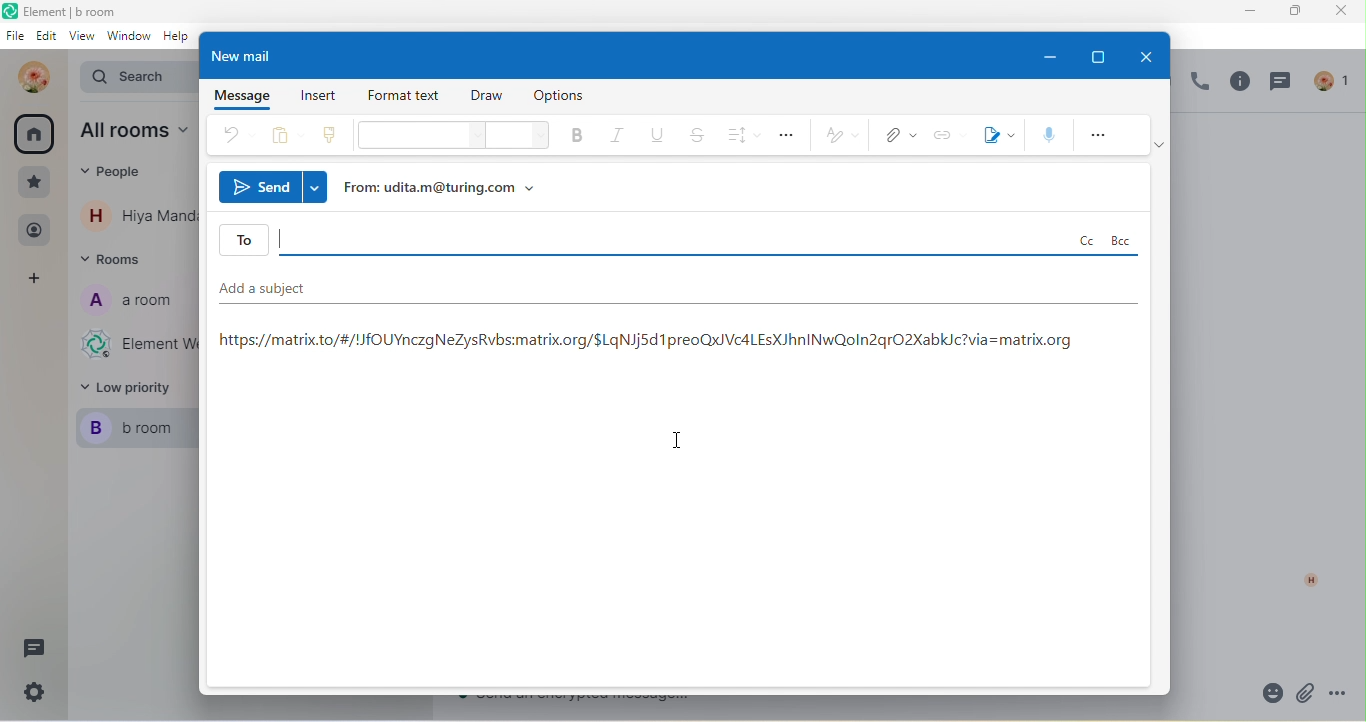 The height and width of the screenshot is (722, 1366). I want to click on insert, so click(318, 95).